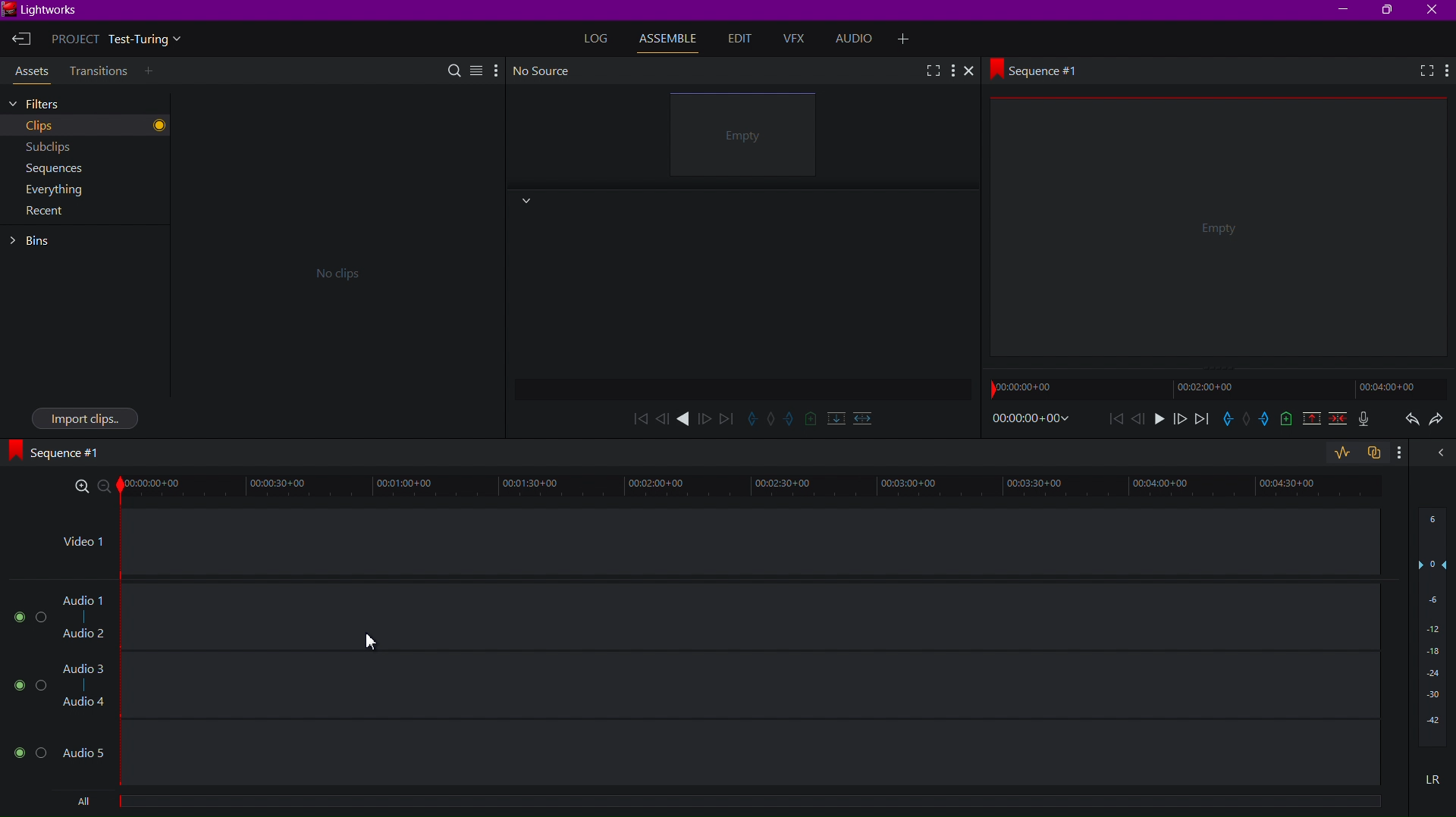 Image resolution: width=1456 pixels, height=817 pixels. Describe the element at coordinates (121, 41) in the screenshot. I see `Project` at that location.